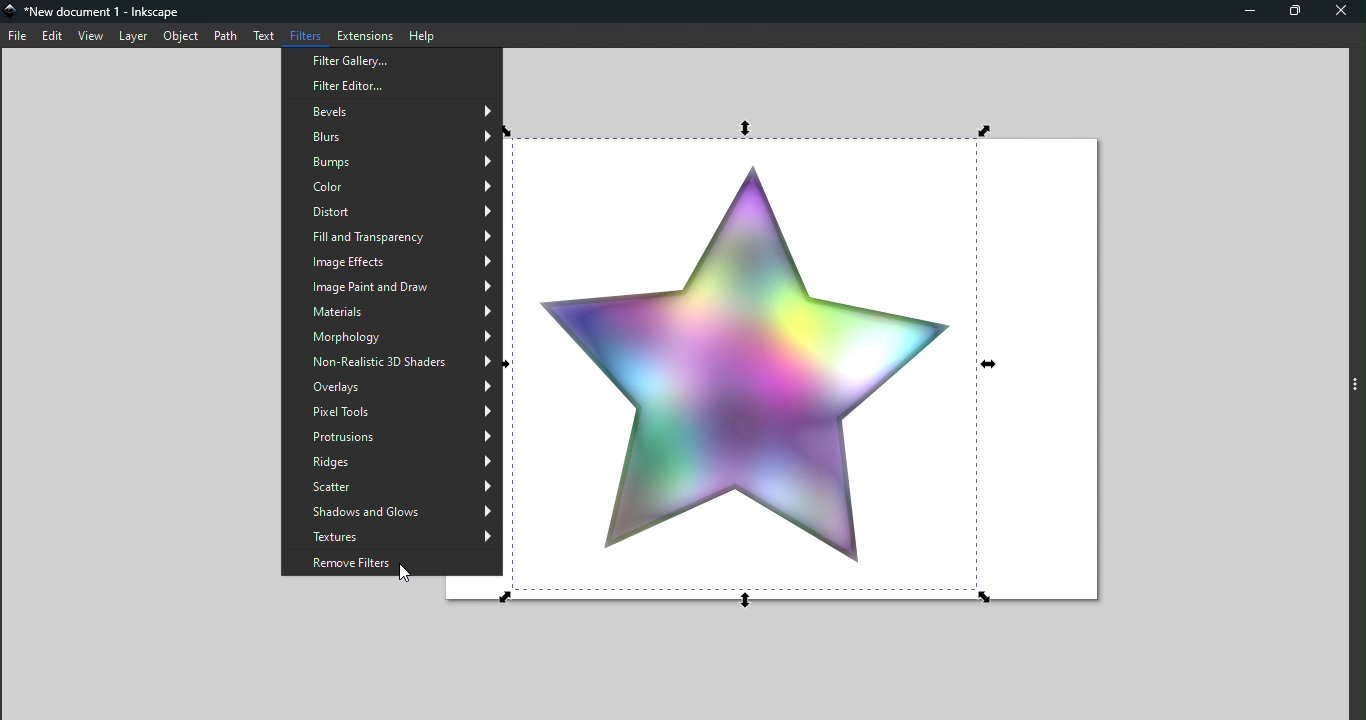  Describe the element at coordinates (393, 462) in the screenshot. I see `Ridges` at that location.